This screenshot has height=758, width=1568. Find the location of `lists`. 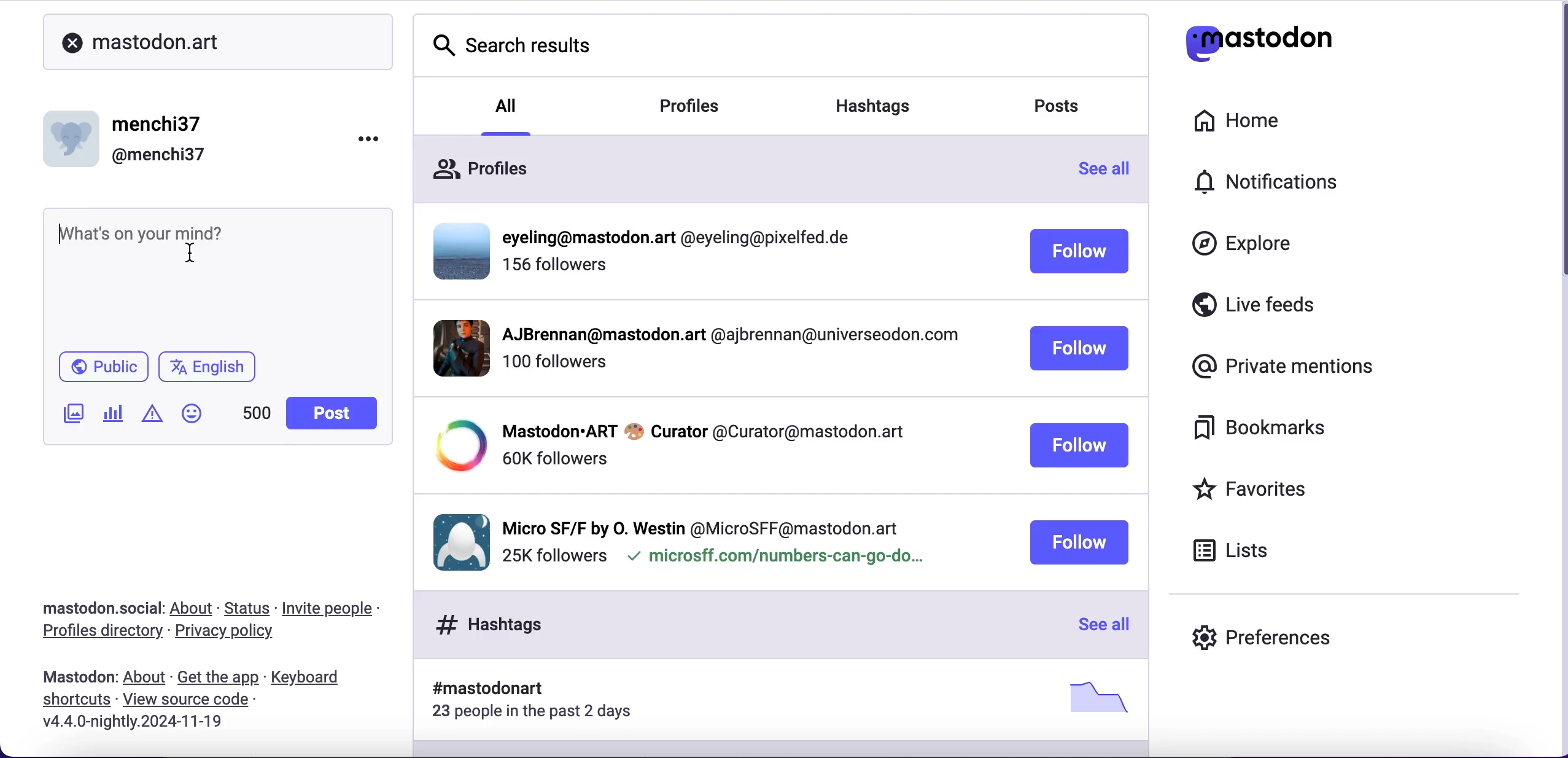

lists is located at coordinates (1239, 554).